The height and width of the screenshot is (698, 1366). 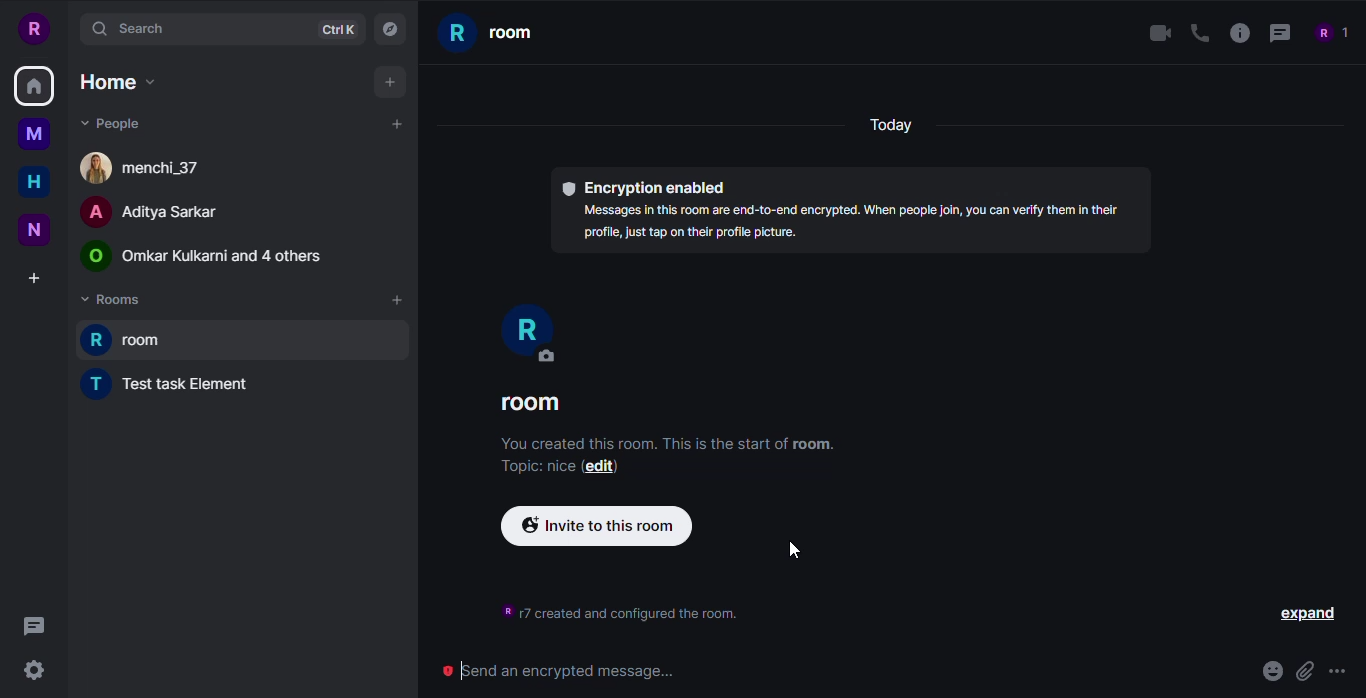 What do you see at coordinates (35, 673) in the screenshot?
I see `quick settings` at bounding box center [35, 673].